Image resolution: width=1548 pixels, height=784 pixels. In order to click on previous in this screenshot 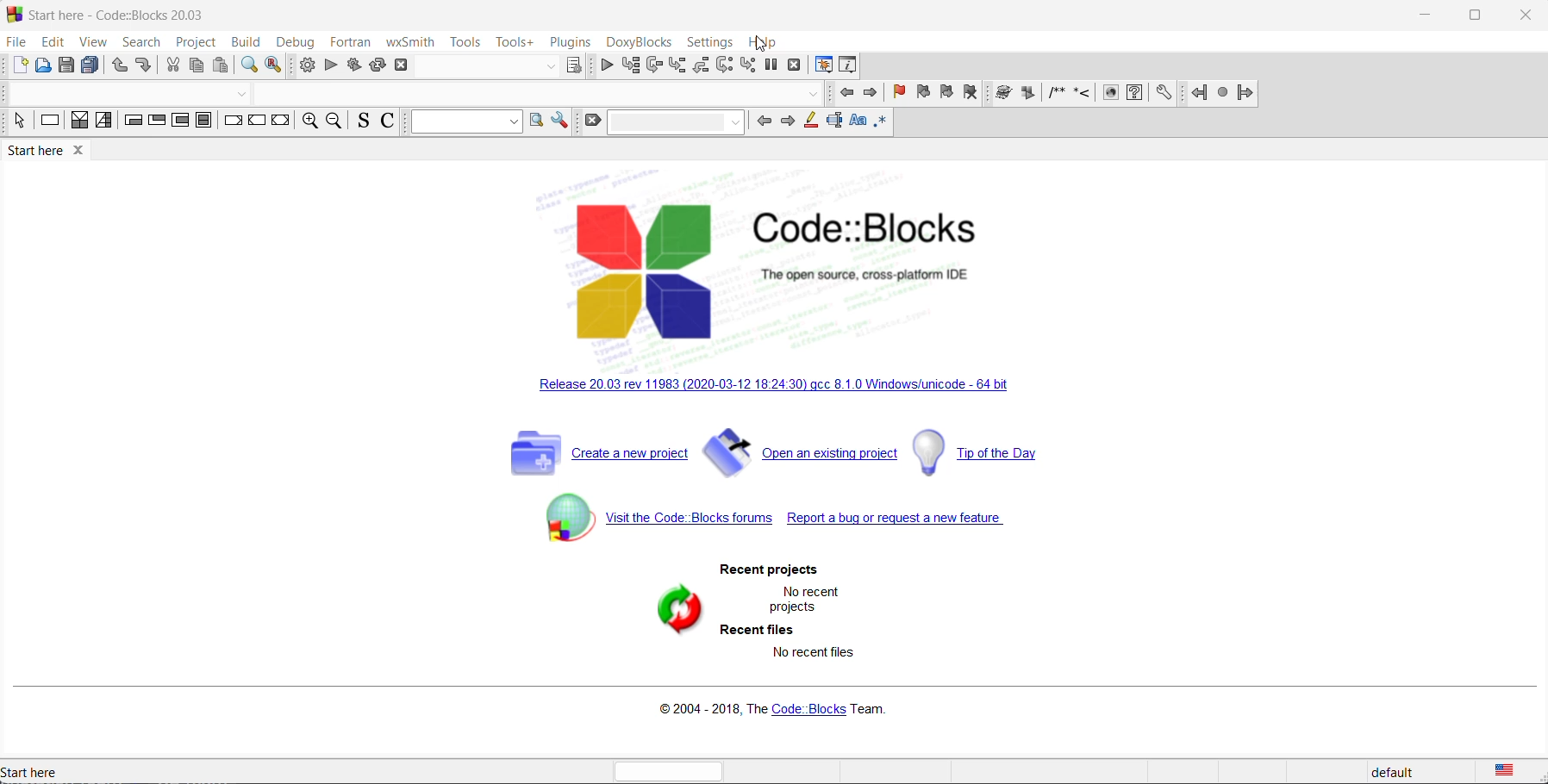, I will do `click(844, 95)`.